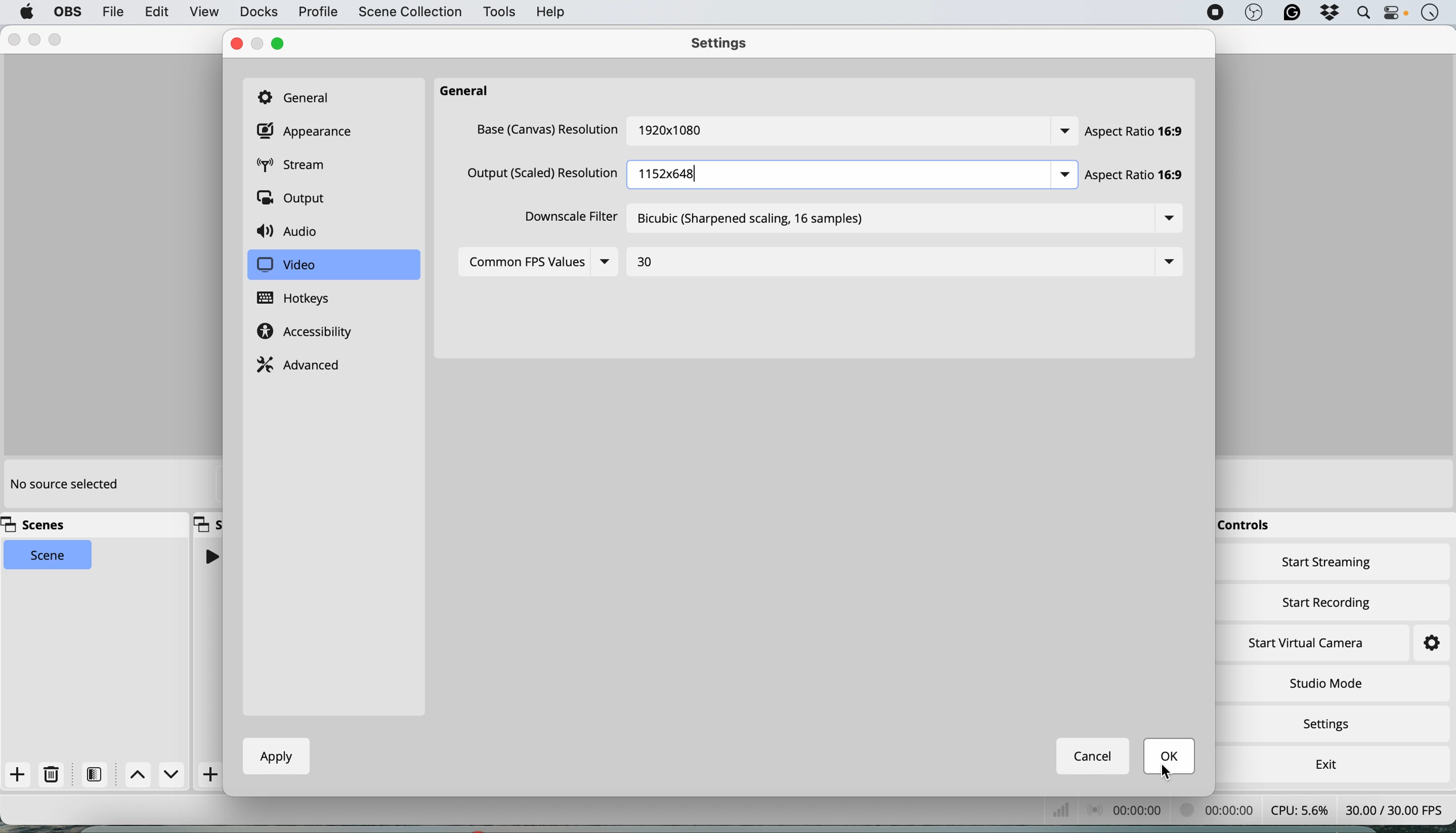 This screenshot has width=1456, height=833. Describe the element at coordinates (66, 12) in the screenshot. I see `obs` at that location.